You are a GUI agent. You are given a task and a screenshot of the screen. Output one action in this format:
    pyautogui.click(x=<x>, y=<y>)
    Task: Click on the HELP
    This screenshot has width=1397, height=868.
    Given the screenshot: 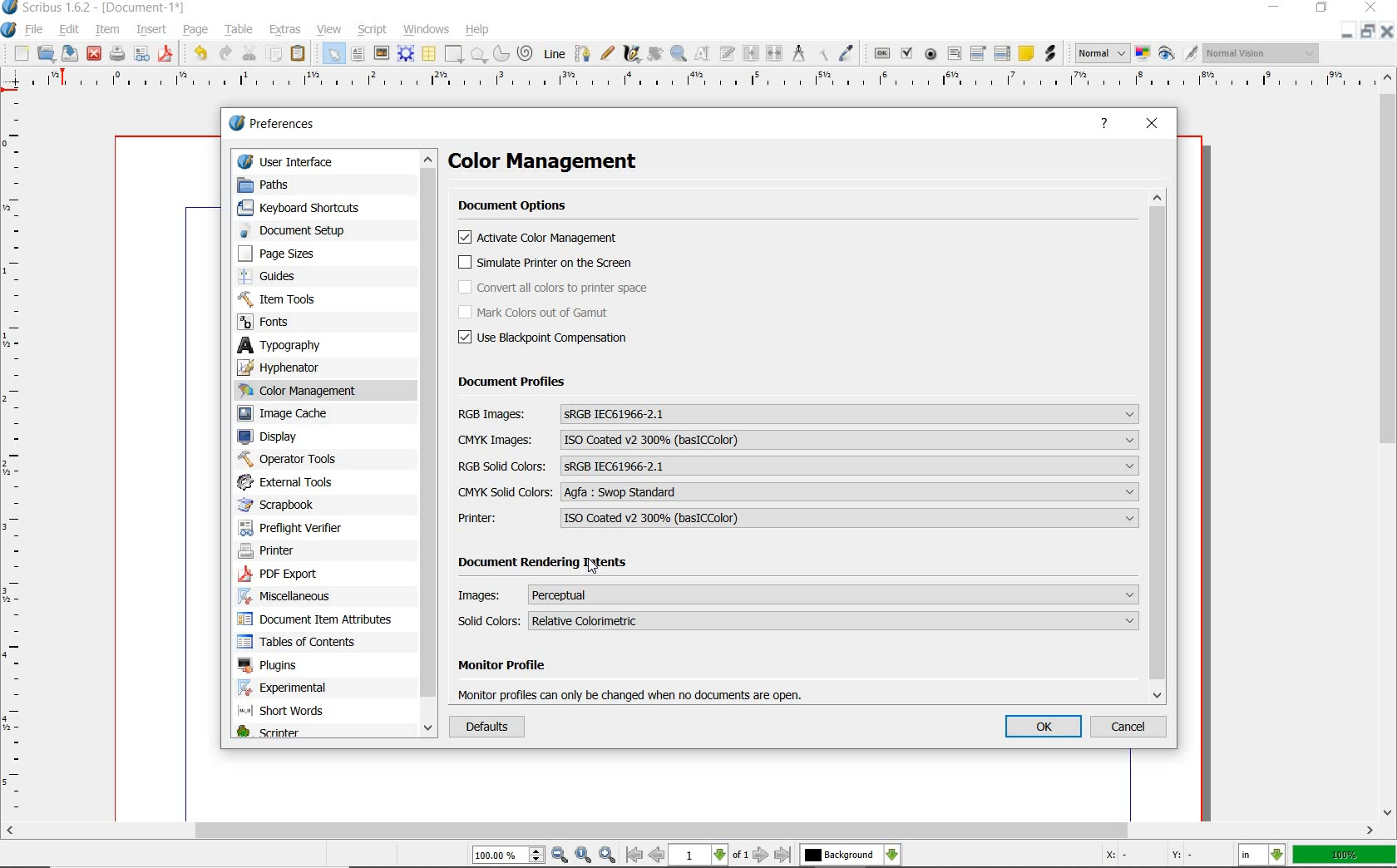 What is the action you would take?
    pyautogui.click(x=1106, y=125)
    